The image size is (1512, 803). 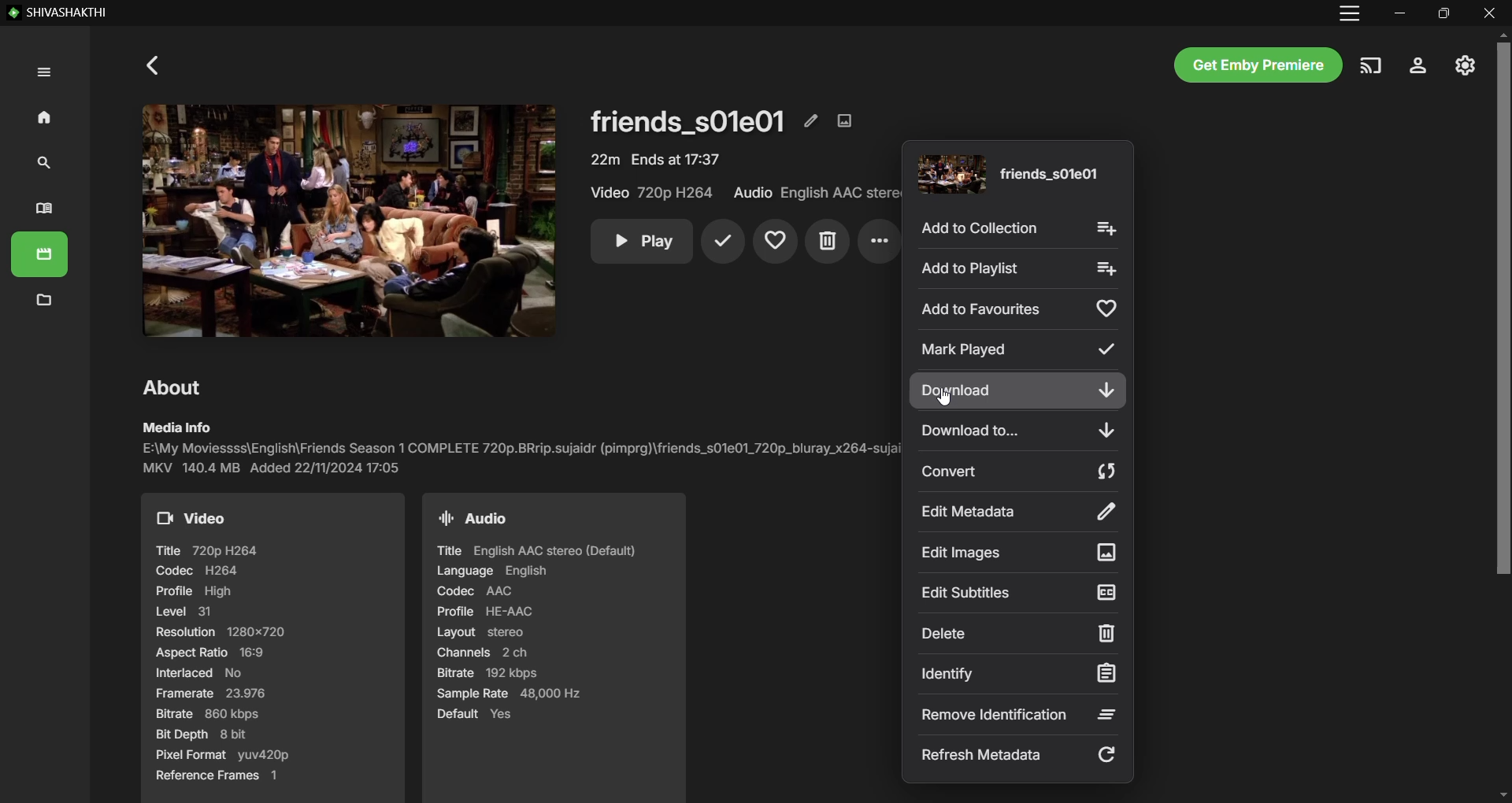 What do you see at coordinates (877, 242) in the screenshot?
I see `More` at bounding box center [877, 242].